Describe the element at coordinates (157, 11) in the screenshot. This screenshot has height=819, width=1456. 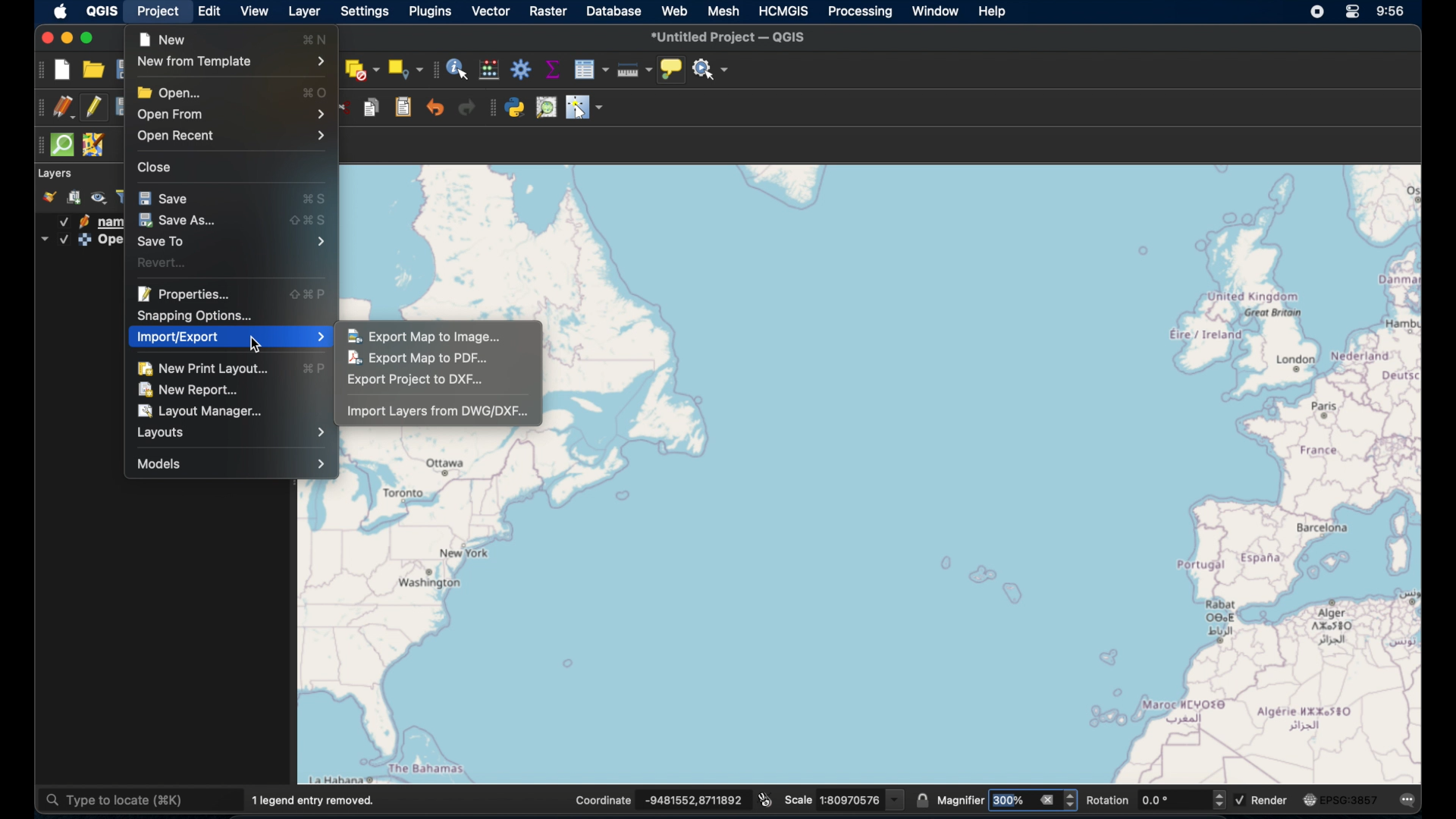
I see `project selected` at that location.